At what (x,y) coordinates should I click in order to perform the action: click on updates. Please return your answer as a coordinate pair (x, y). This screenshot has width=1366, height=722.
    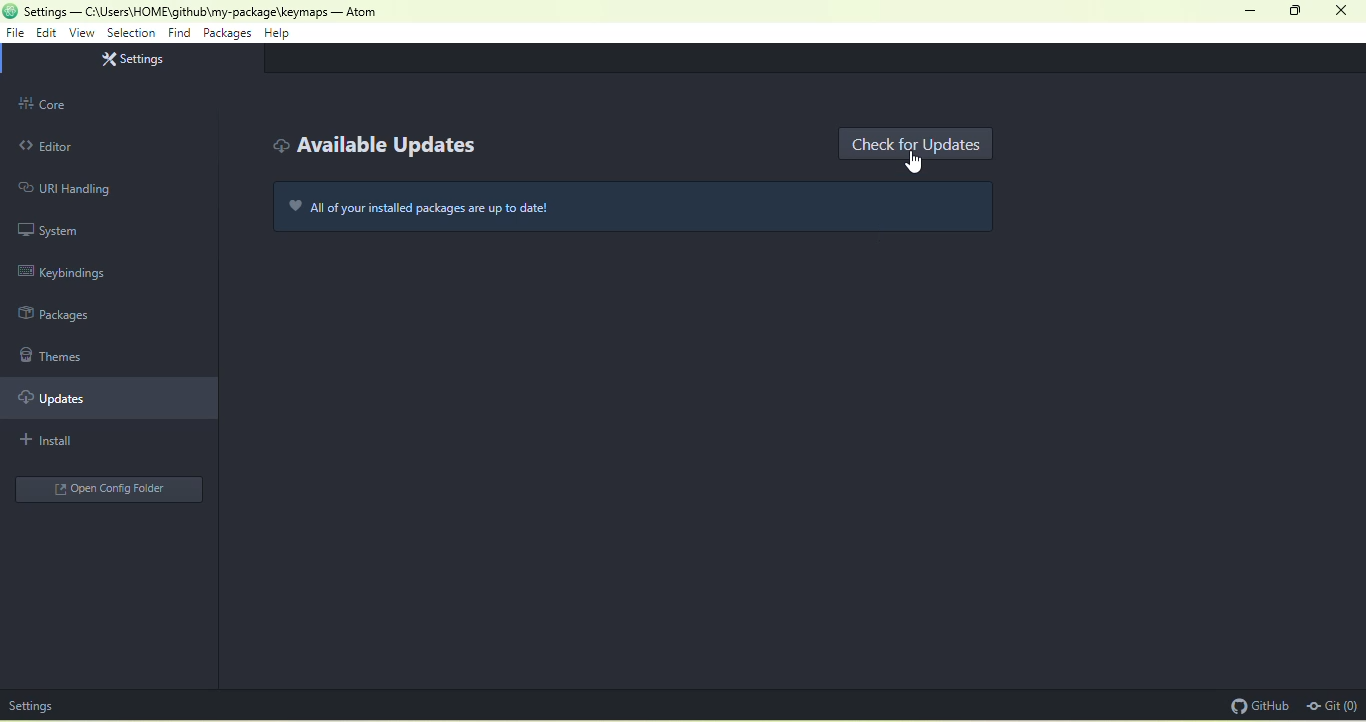
    Looking at the image, I should click on (114, 400).